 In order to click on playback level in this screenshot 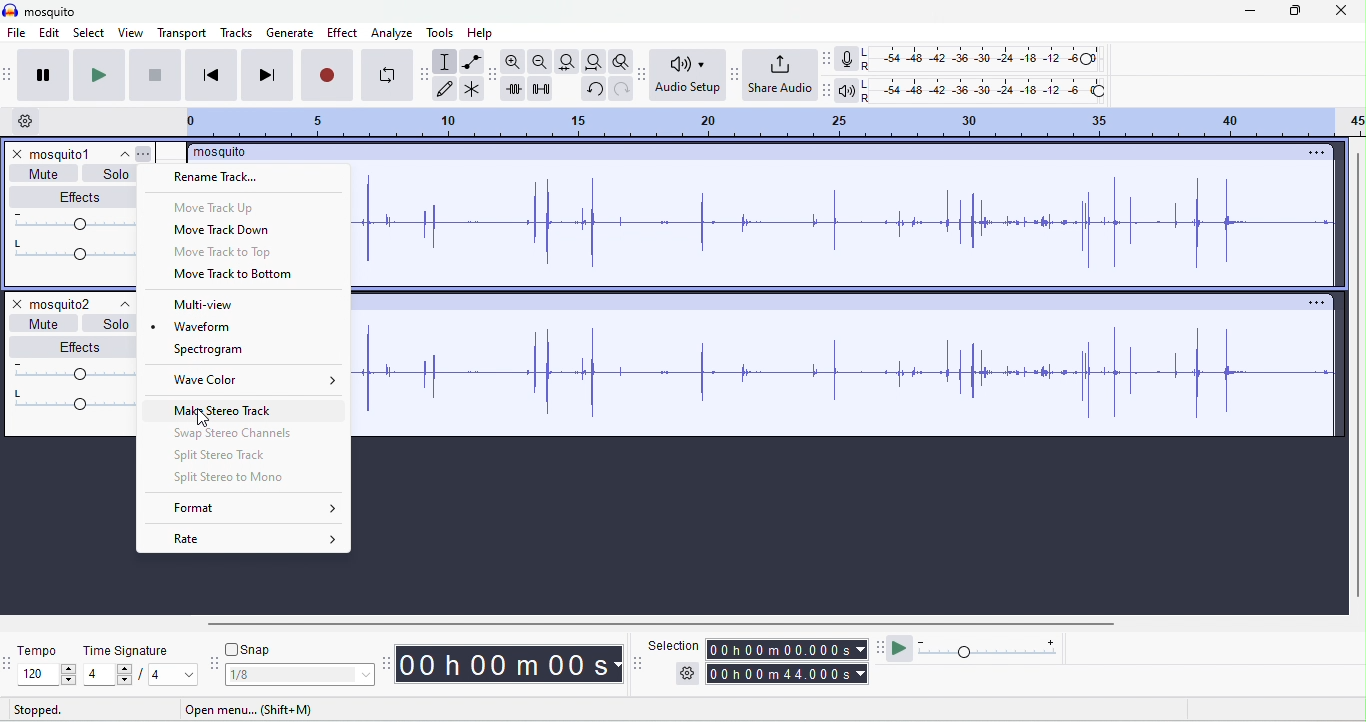, I will do `click(984, 89)`.